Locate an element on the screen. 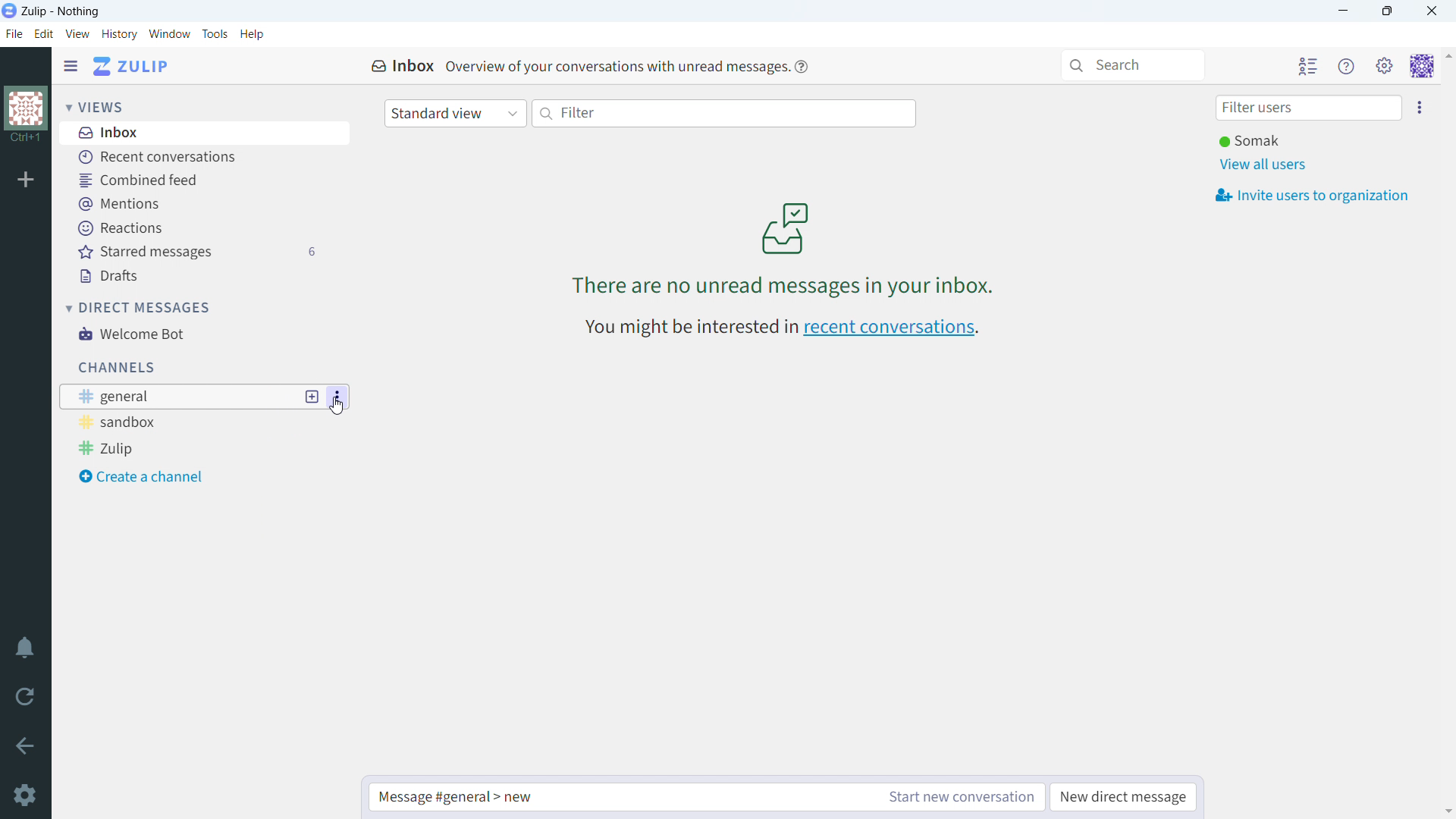 The image size is (1456, 819). recent conversations is located at coordinates (193, 158).